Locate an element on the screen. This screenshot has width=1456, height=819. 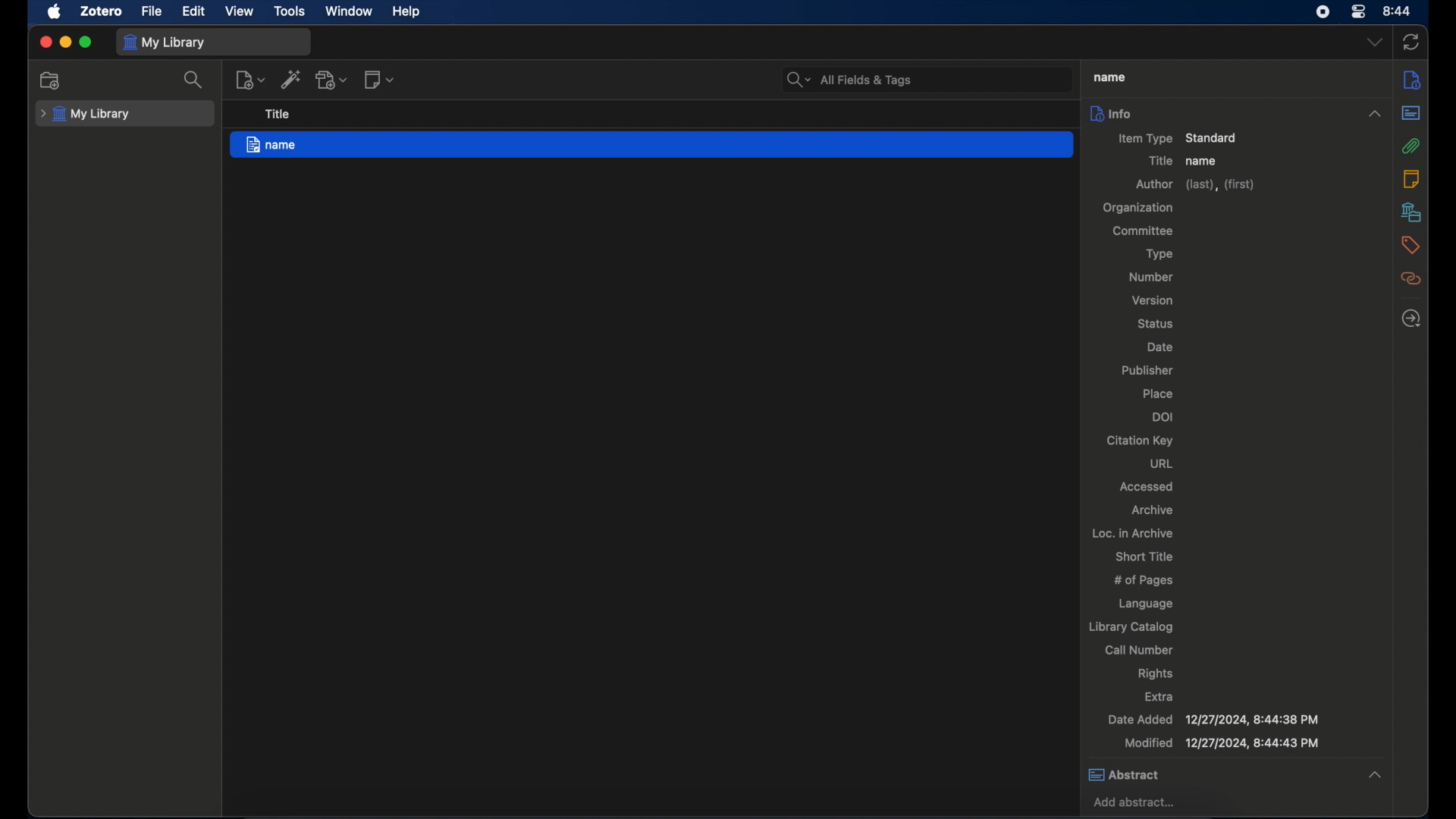
call number is located at coordinates (1139, 651).